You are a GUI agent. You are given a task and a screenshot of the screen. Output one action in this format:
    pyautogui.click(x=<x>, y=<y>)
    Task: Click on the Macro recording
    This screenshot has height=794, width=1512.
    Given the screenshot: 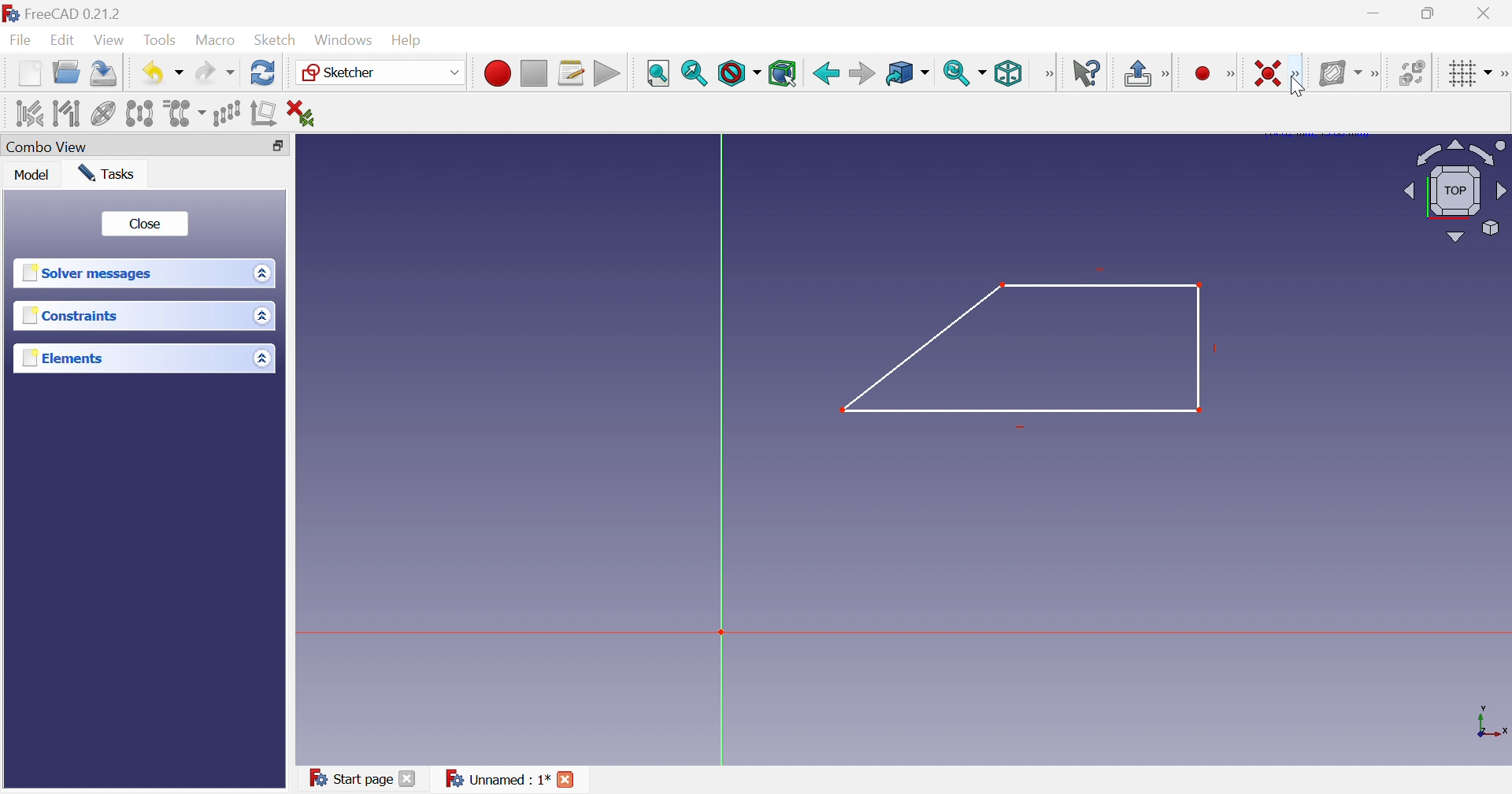 What is the action you would take?
    pyautogui.click(x=495, y=72)
    